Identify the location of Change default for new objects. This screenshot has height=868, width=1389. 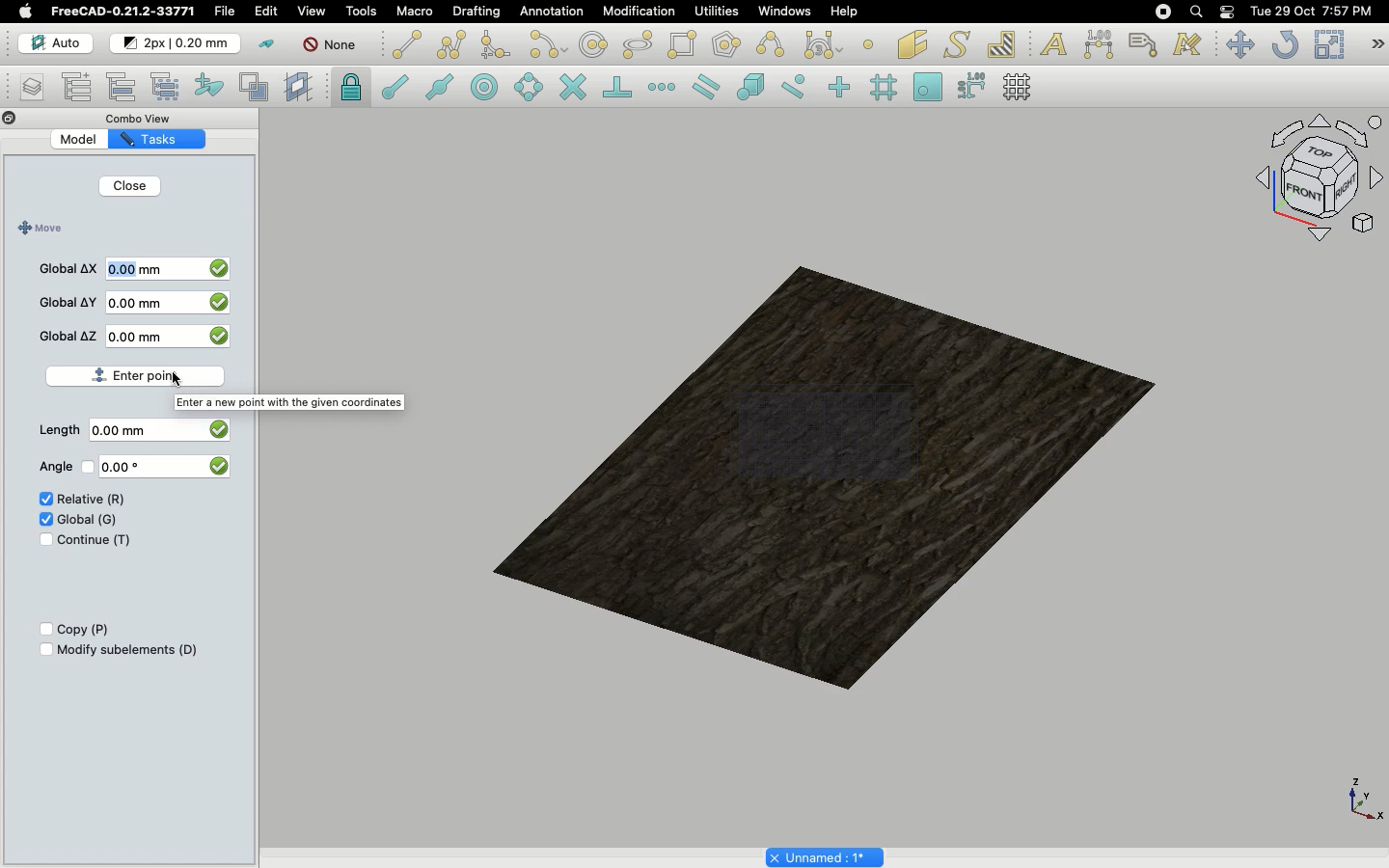
(177, 44).